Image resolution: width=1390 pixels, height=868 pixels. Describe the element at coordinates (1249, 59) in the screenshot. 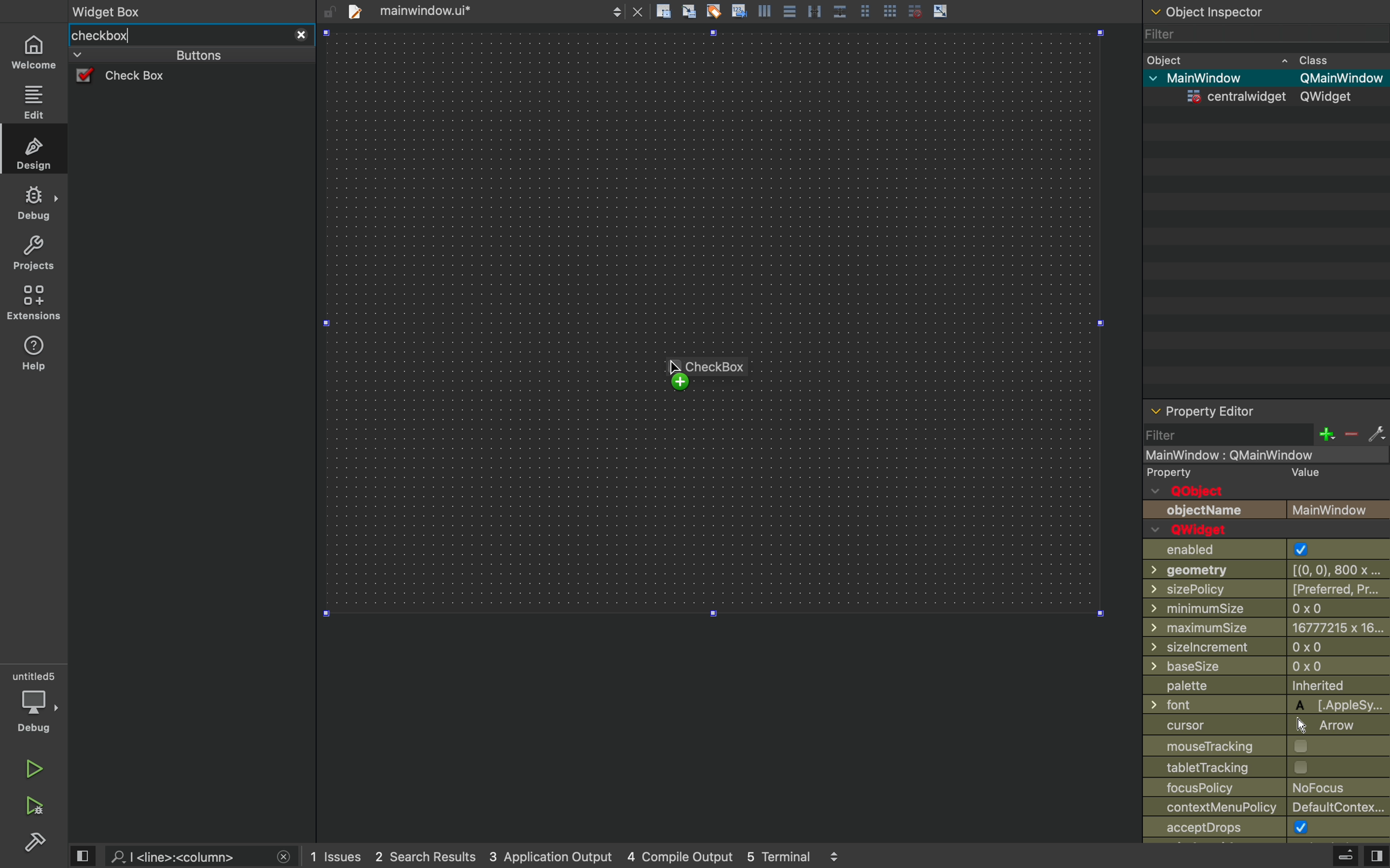

I see `object` at that location.